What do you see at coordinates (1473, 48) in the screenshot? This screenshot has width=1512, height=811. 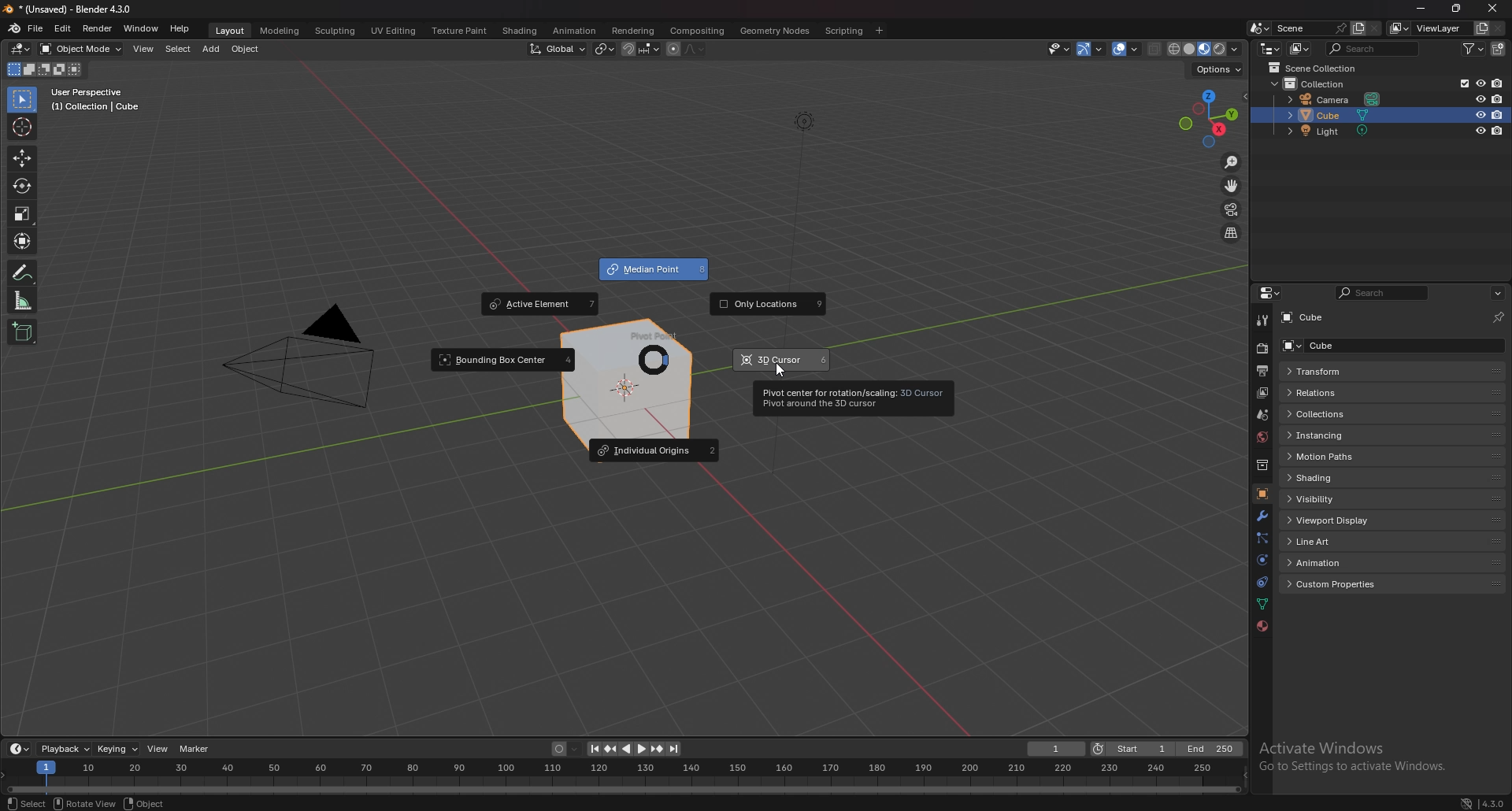 I see `filter` at bounding box center [1473, 48].